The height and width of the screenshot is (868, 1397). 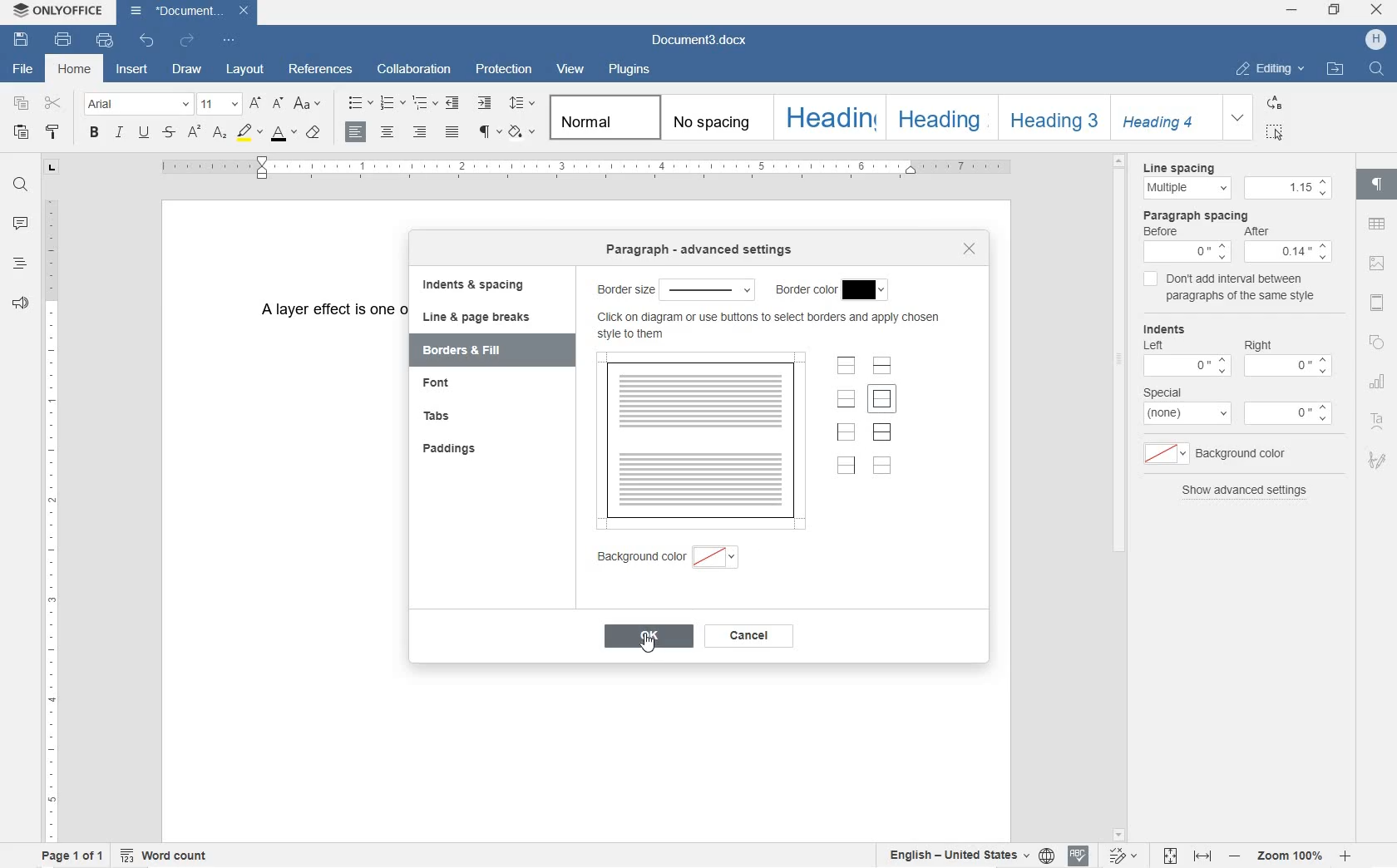 I want to click on OPEN FILE LOCATION, so click(x=1335, y=70).